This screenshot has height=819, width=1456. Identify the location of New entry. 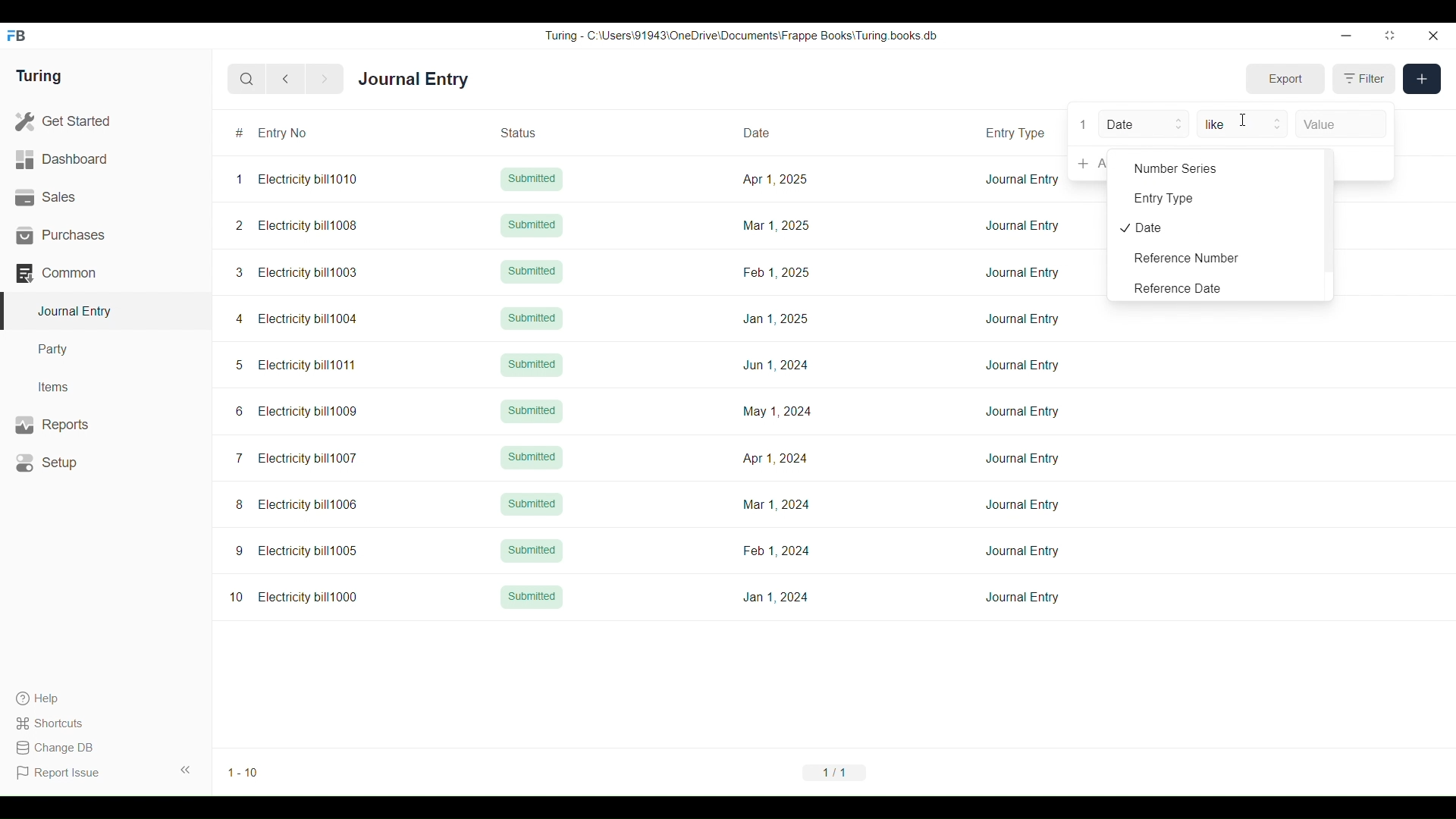
(1422, 79).